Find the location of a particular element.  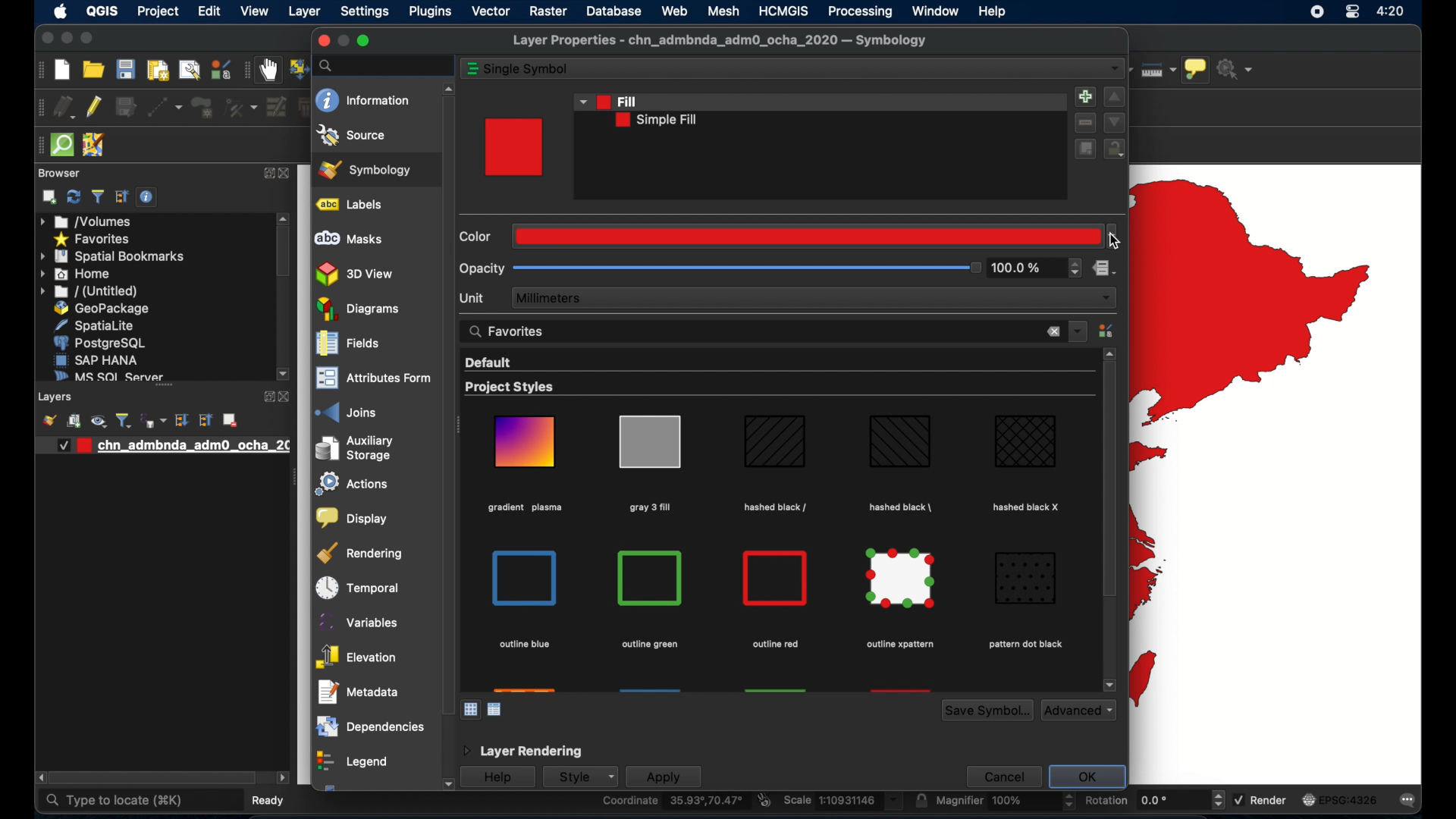

red color selected is located at coordinates (816, 235).